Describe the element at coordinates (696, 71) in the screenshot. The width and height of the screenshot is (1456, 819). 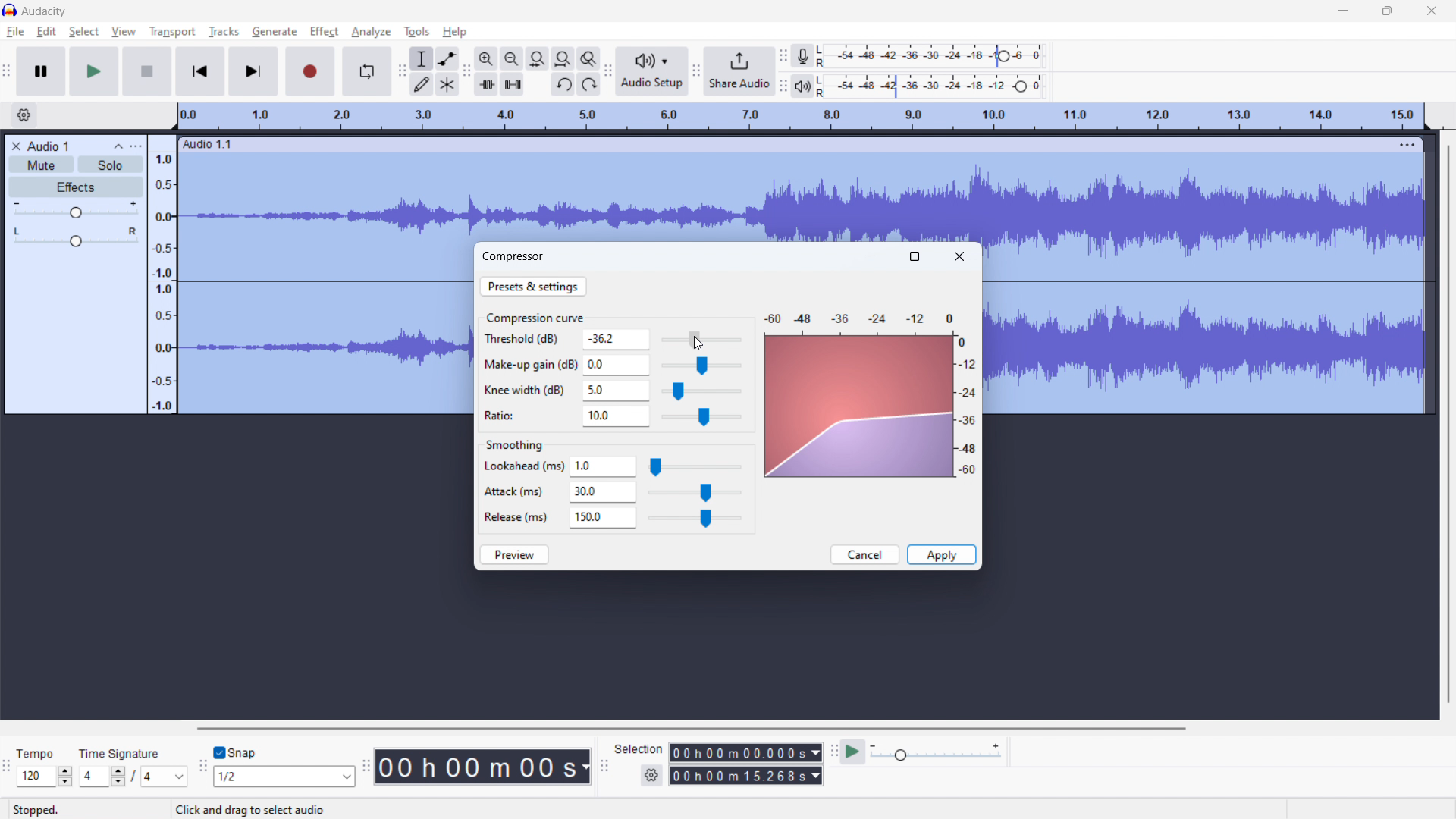
I see `share audio toolbar` at that location.